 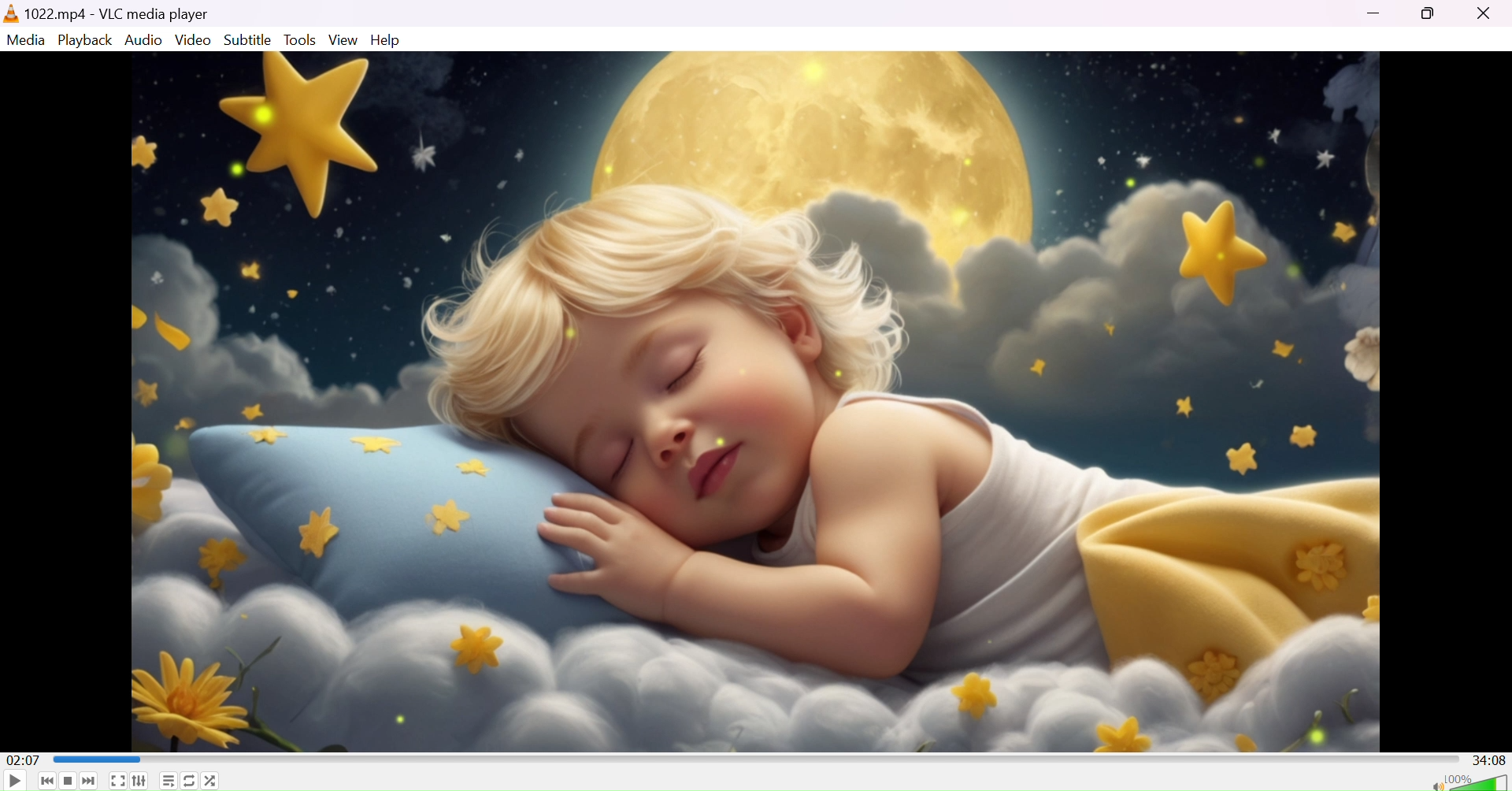 What do you see at coordinates (47, 781) in the screenshot?
I see `Previous media in the playlist, skip backward when held` at bounding box center [47, 781].